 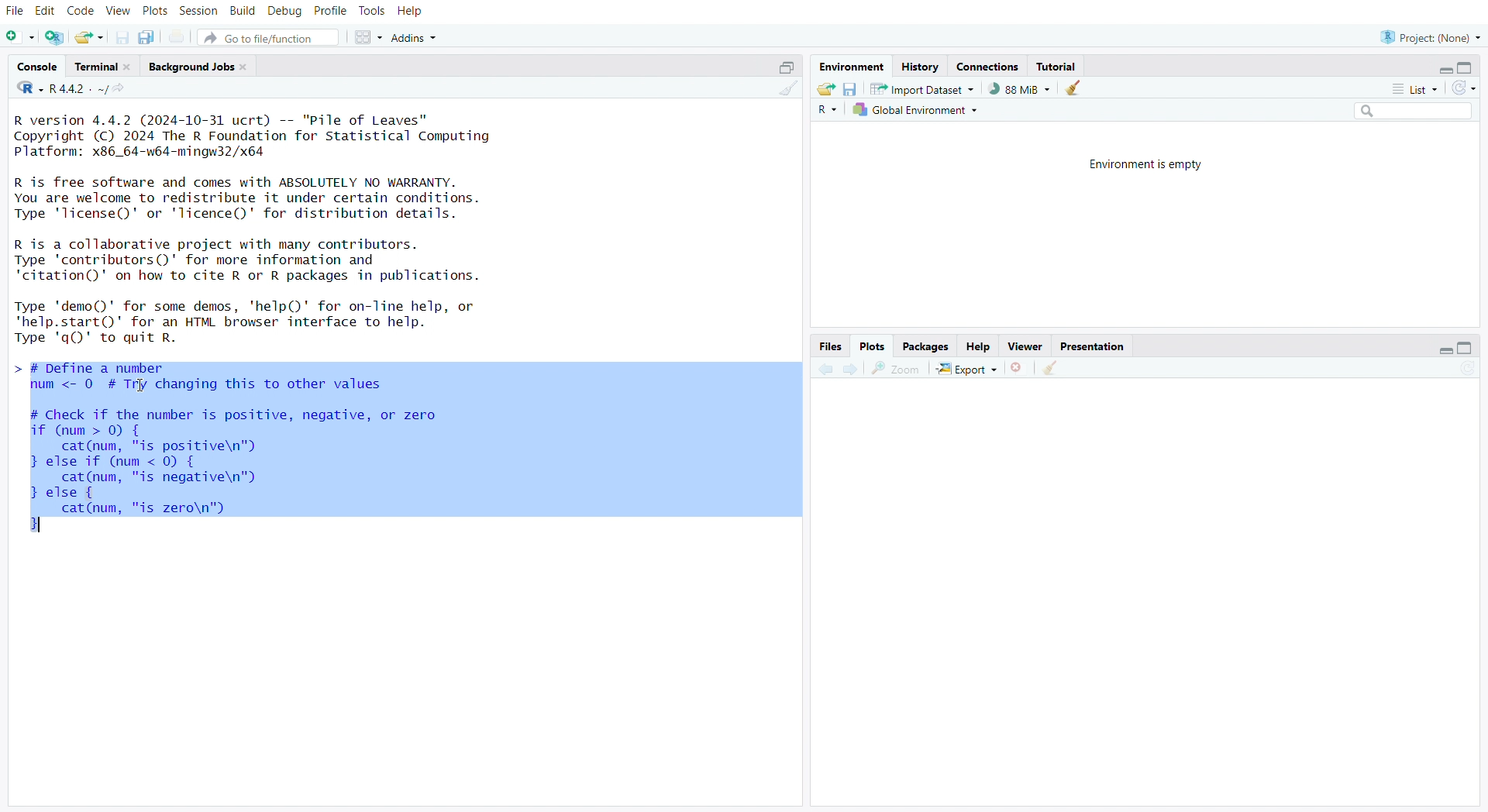 I want to click on profile, so click(x=332, y=12).